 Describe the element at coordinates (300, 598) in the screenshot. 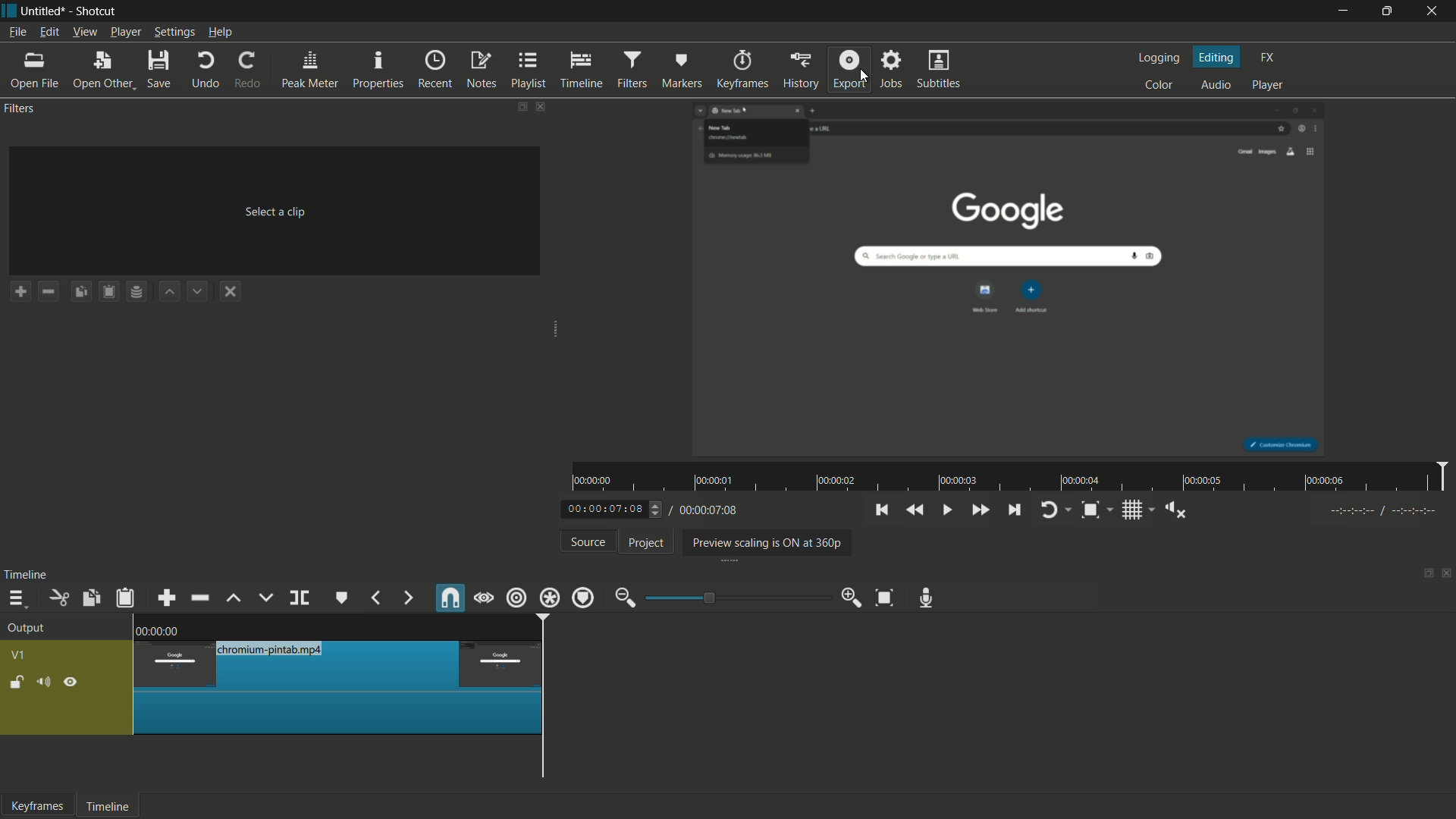

I see `split at playhead` at that location.